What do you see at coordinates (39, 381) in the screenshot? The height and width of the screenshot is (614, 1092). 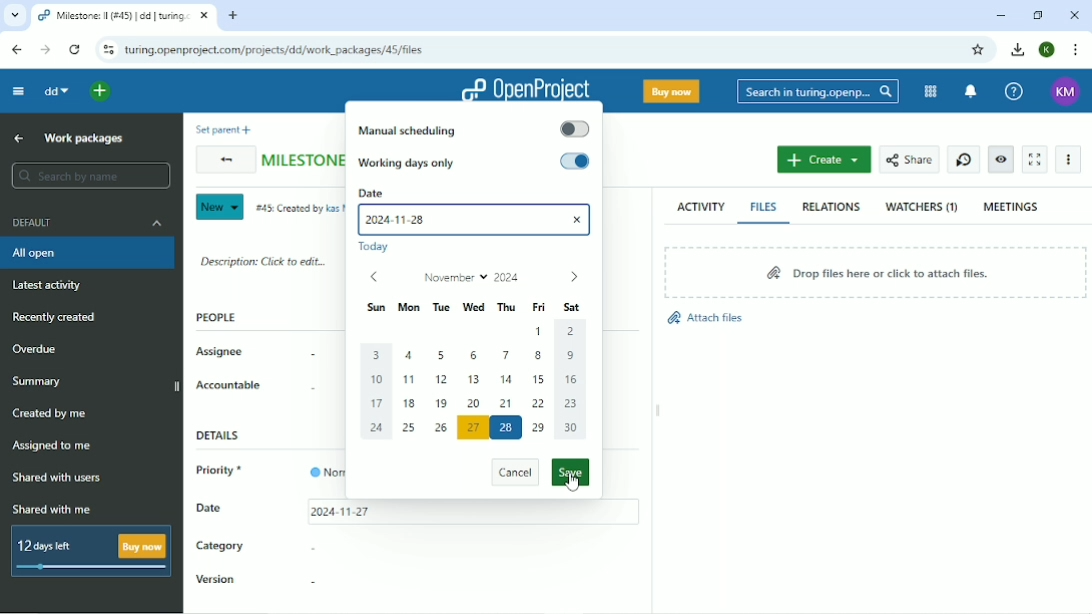 I see `Summary` at bounding box center [39, 381].